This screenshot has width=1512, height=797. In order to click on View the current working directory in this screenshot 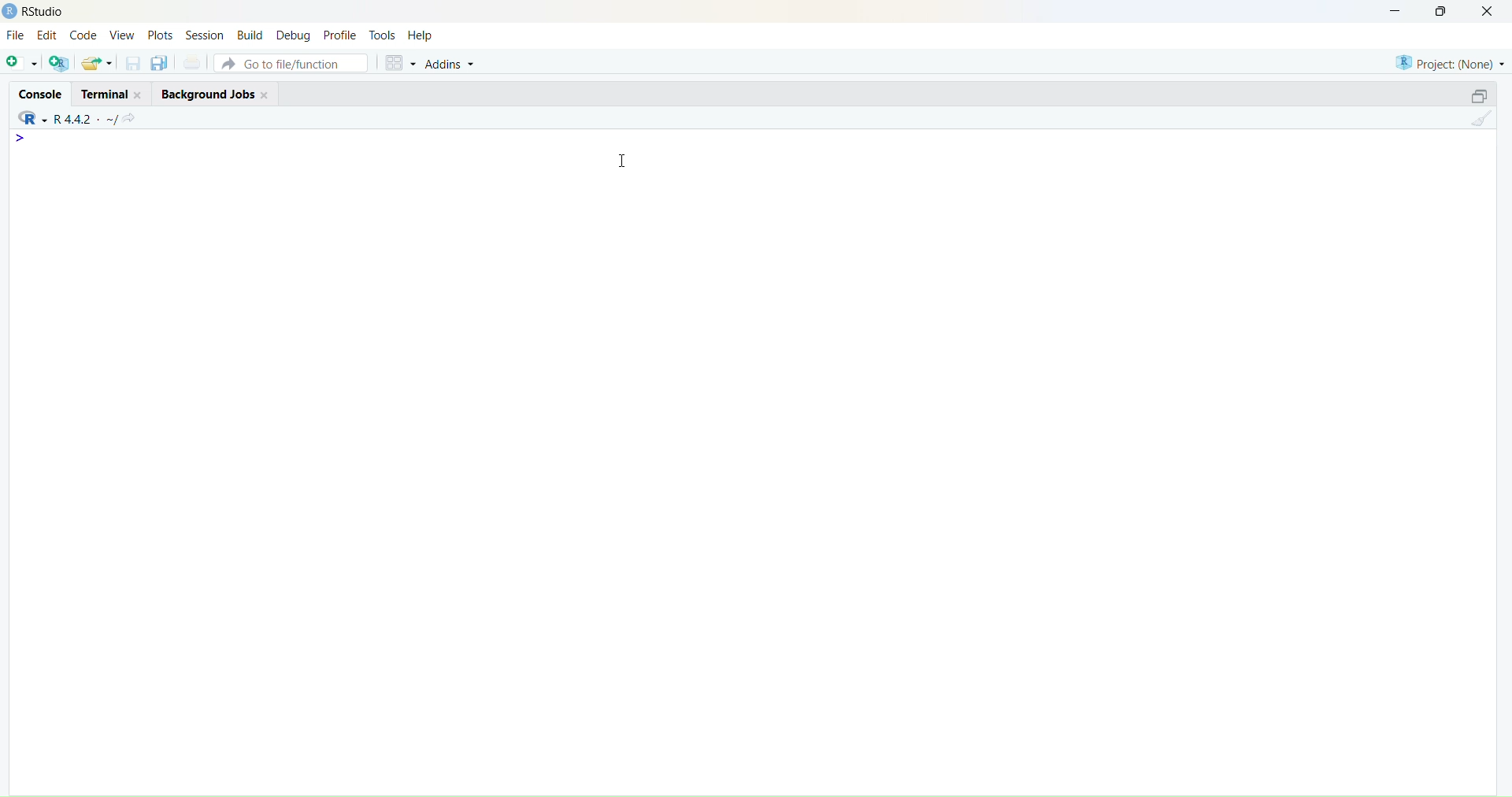, I will do `click(134, 117)`.